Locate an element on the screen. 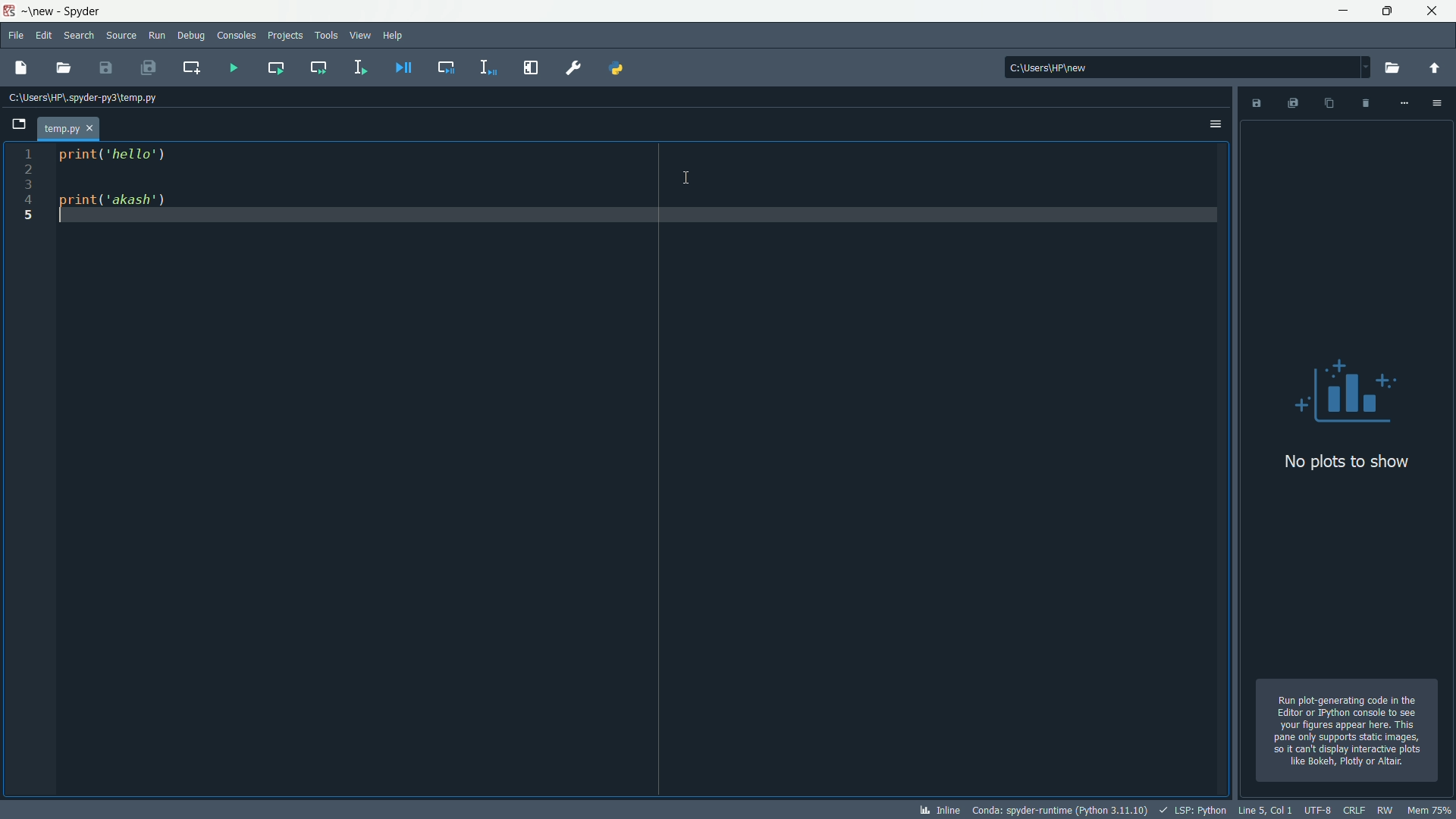 This screenshot has height=819, width=1456. minimize is located at coordinates (1337, 11).